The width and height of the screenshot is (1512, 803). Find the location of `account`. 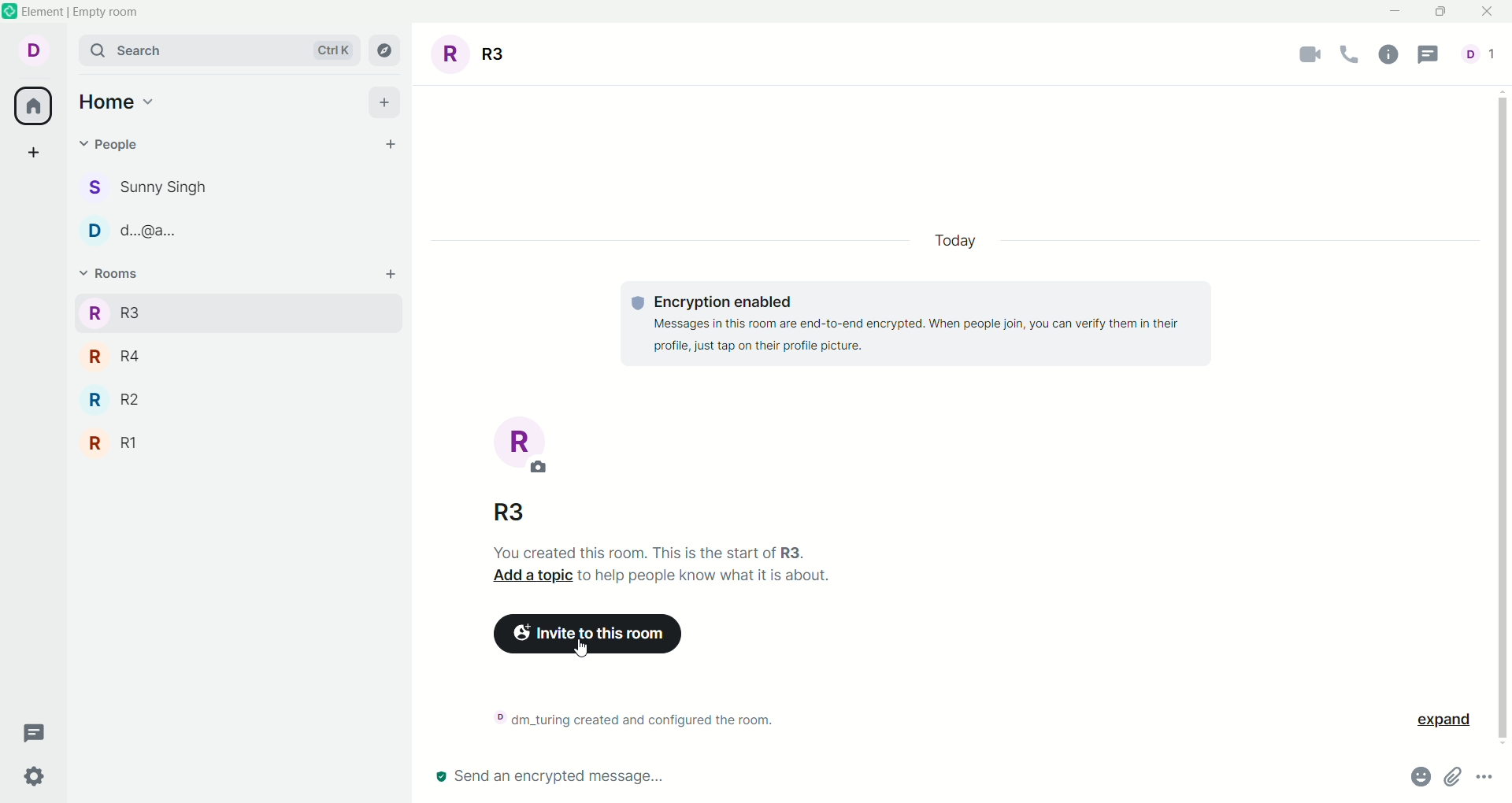

account is located at coordinates (31, 50).